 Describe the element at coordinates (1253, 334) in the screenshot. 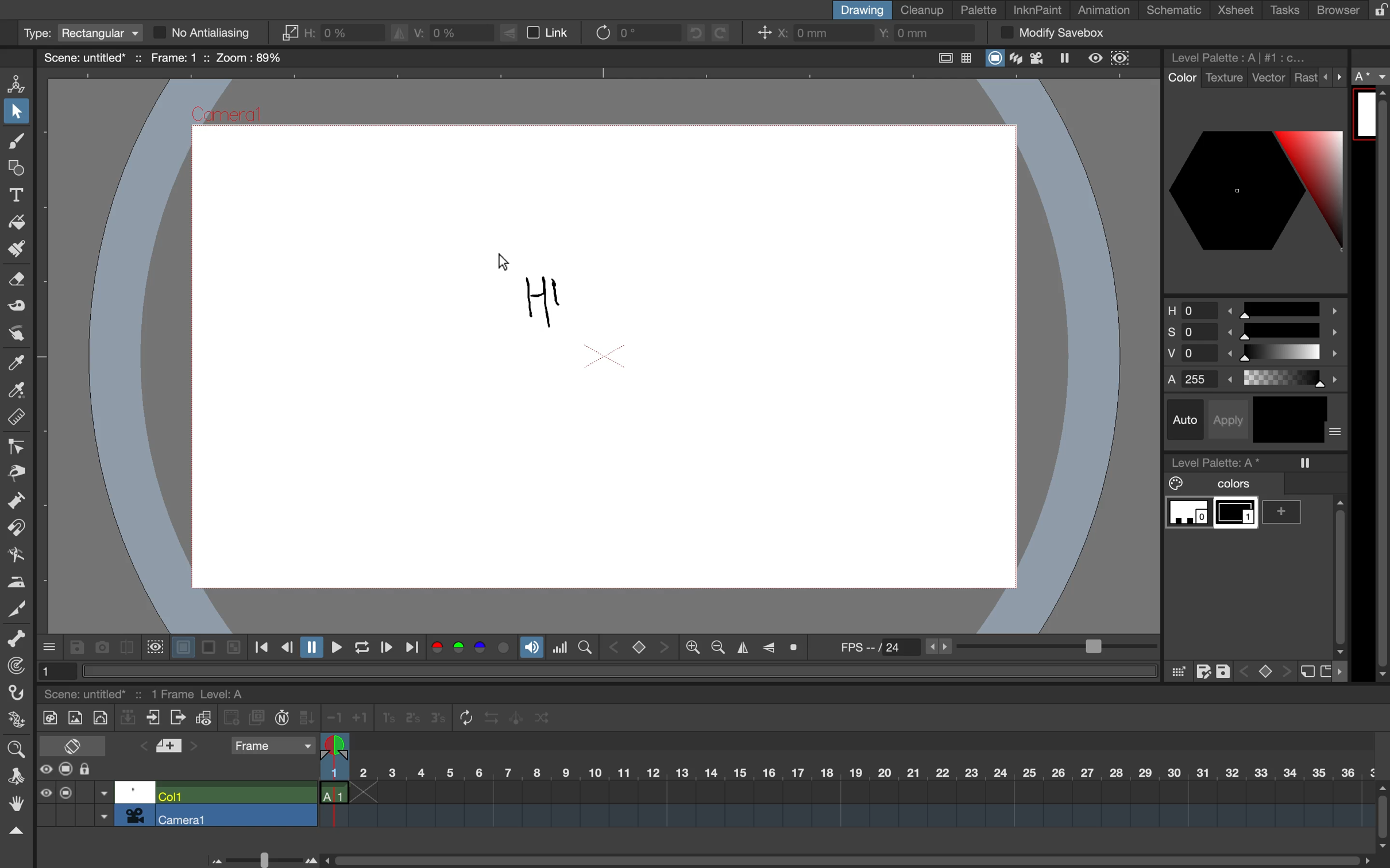

I see `saturation` at that location.